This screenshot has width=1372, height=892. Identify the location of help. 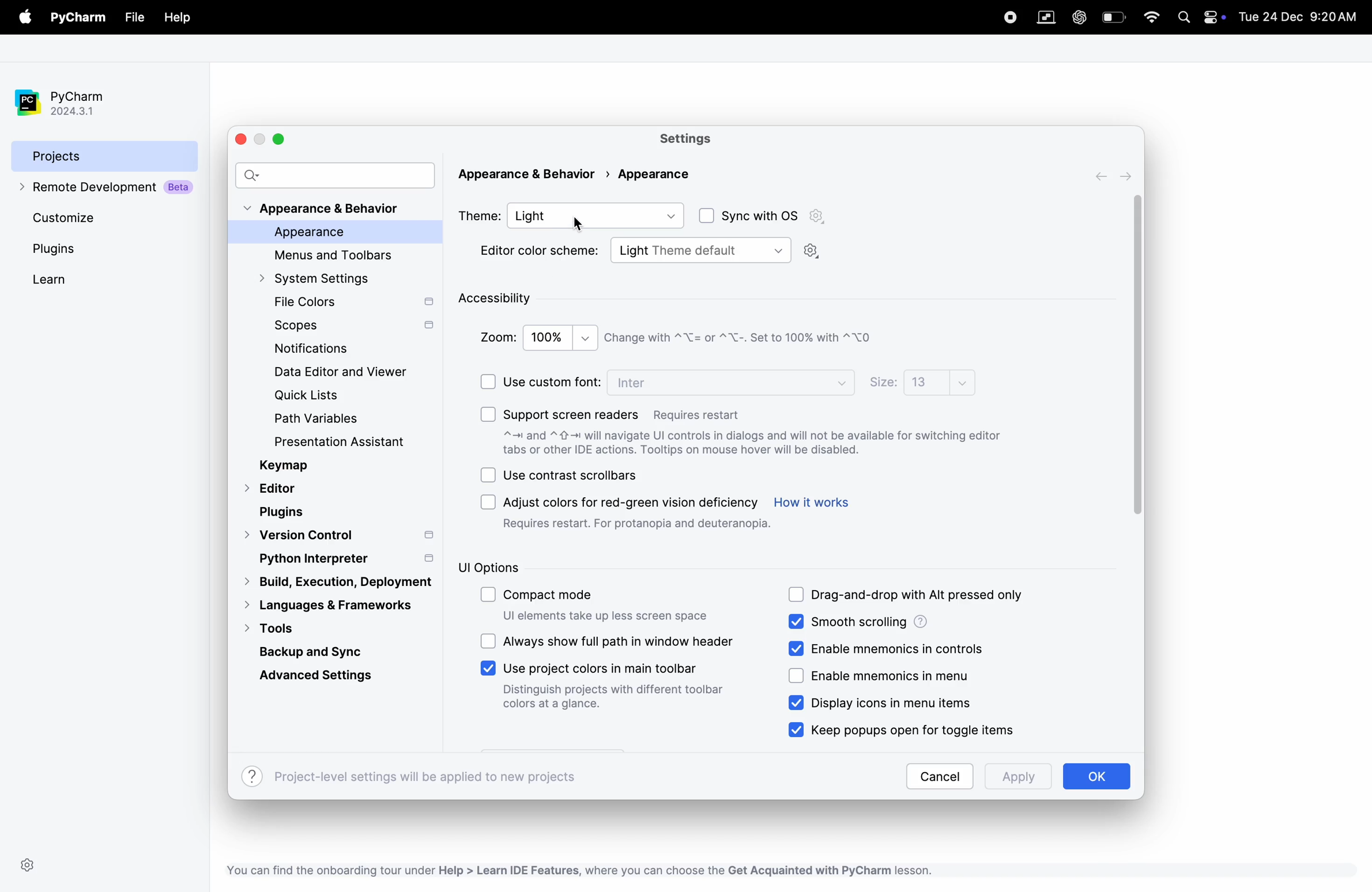
(177, 18).